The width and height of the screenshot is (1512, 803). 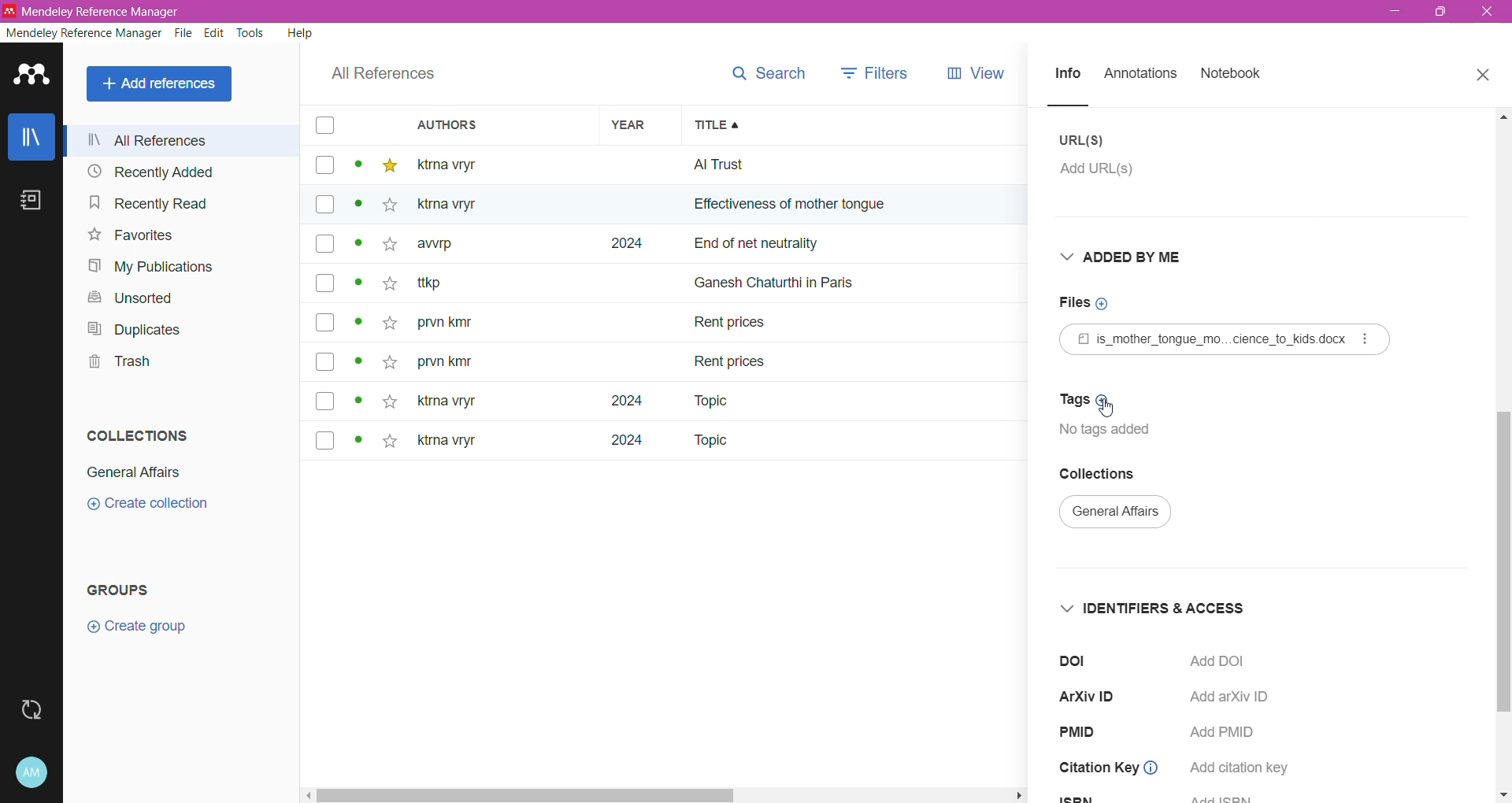 I want to click on box, so click(x=326, y=363).